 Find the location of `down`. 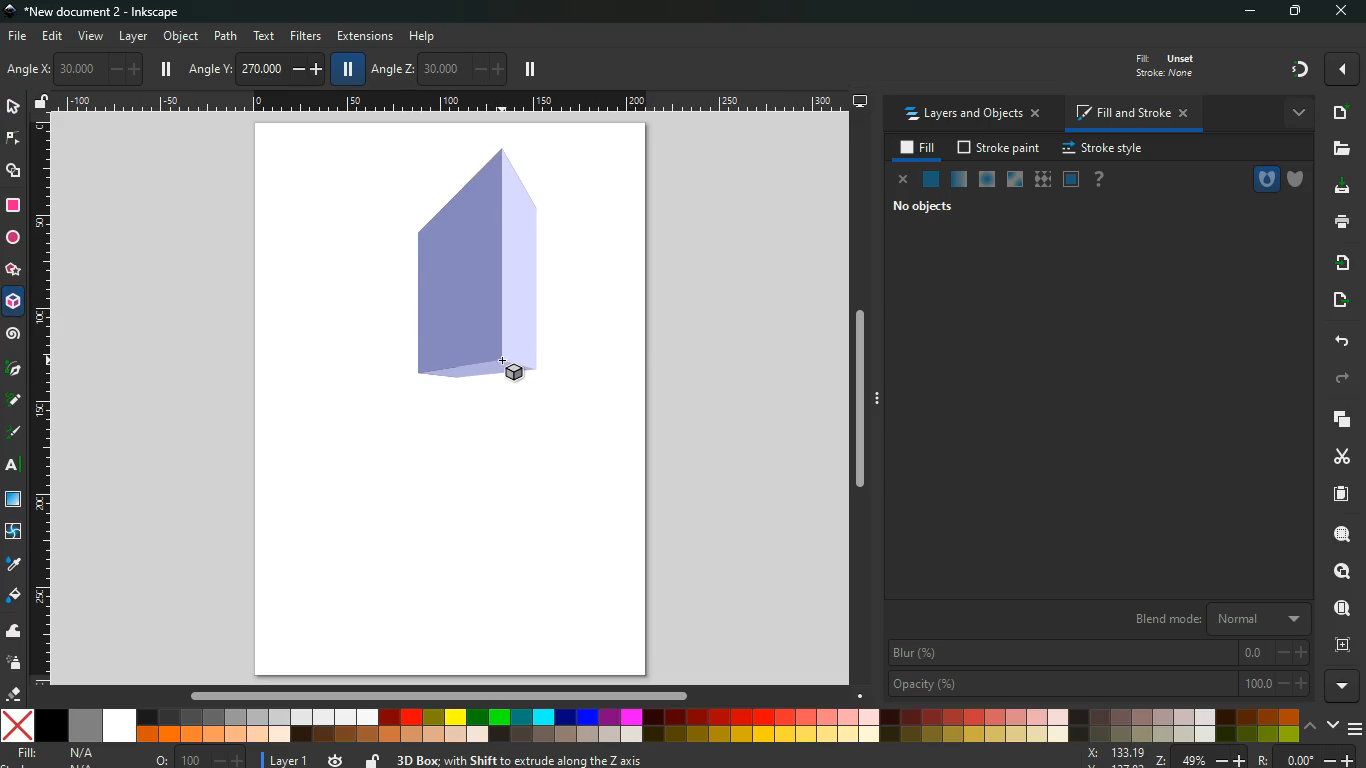

down is located at coordinates (1334, 726).